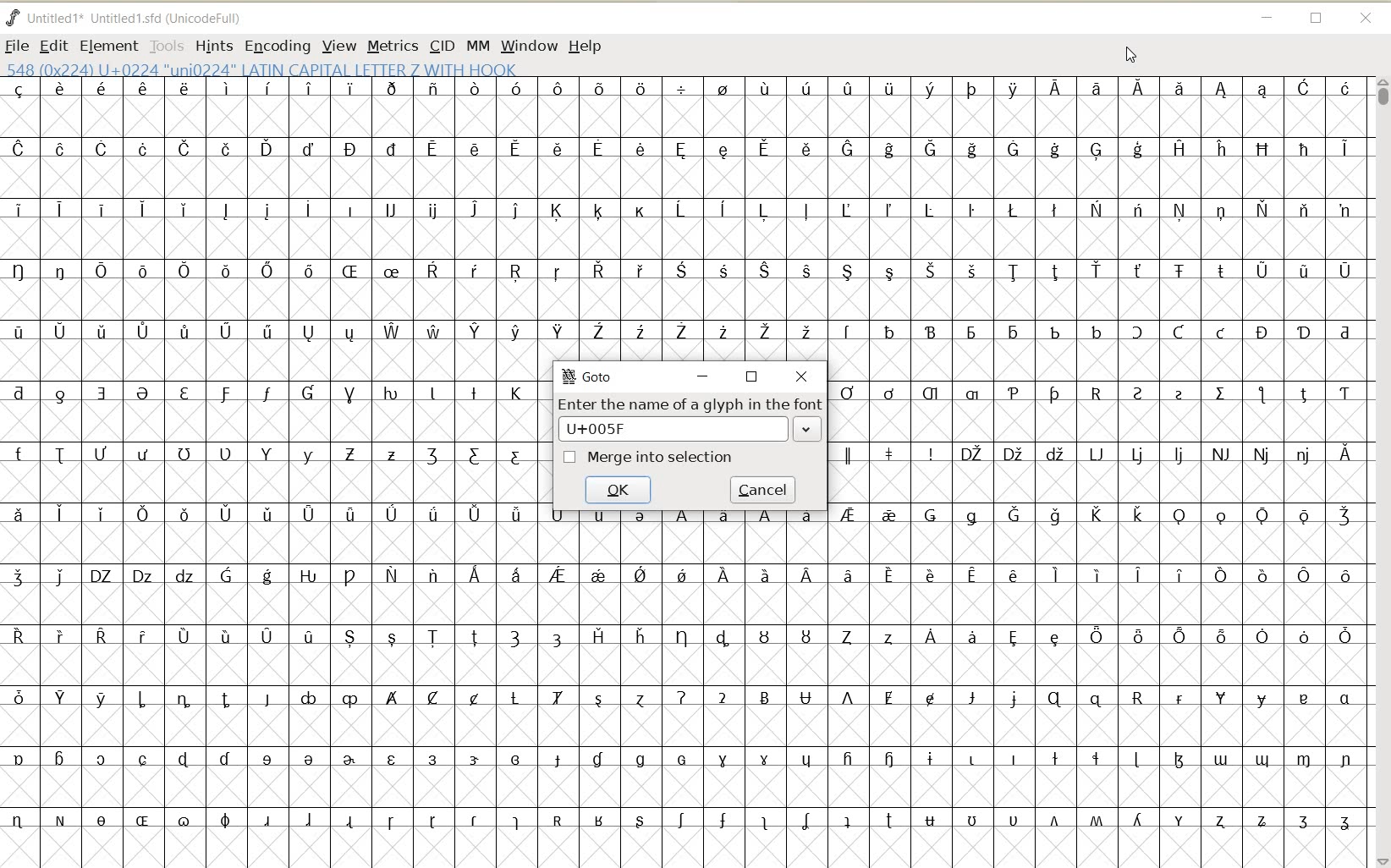 This screenshot has width=1391, height=868. I want to click on ENCODING, so click(277, 47).